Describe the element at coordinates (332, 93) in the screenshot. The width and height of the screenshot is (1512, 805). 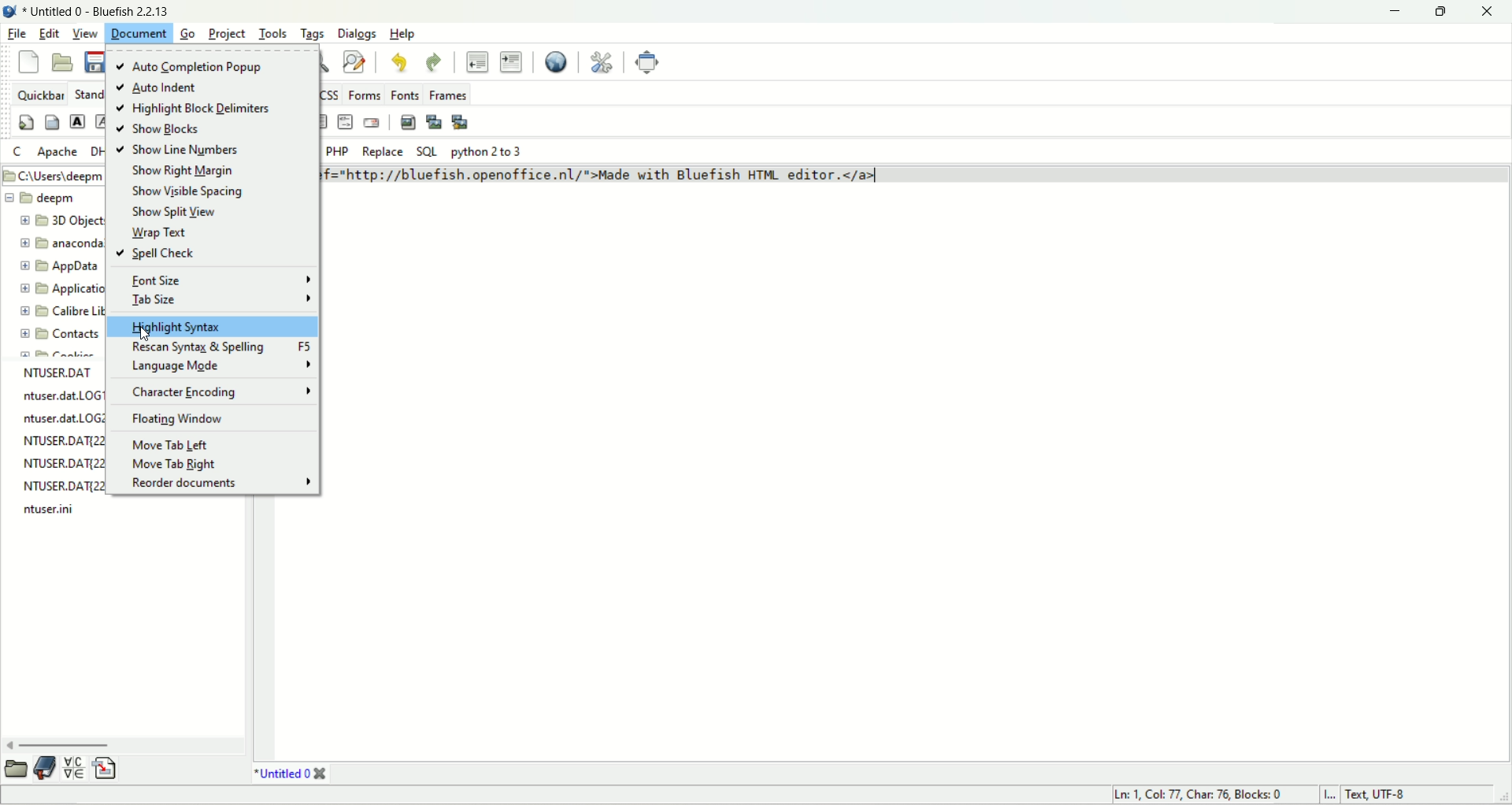
I see `CSS` at that location.